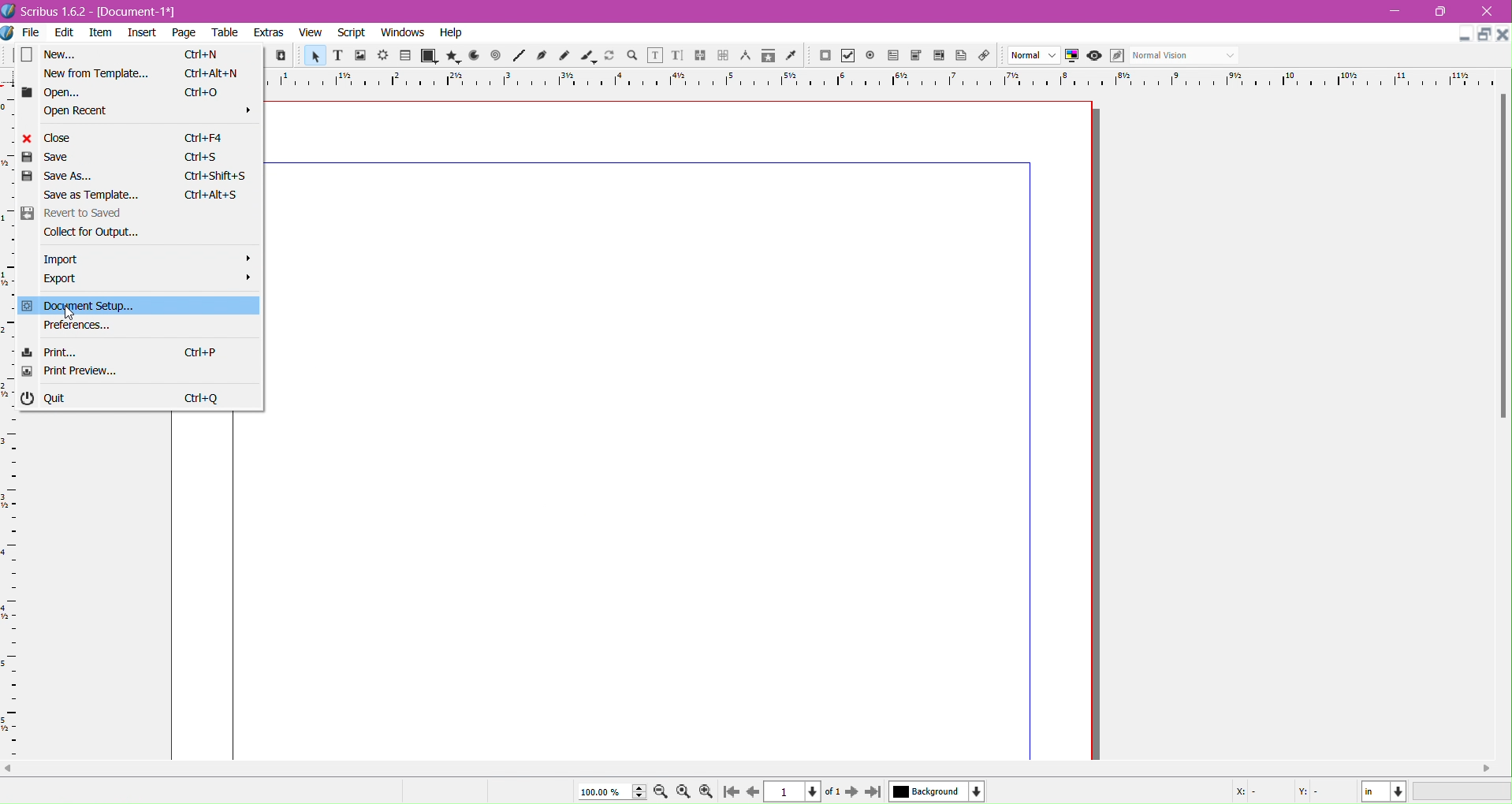  What do you see at coordinates (382, 56) in the screenshot?
I see `render frame` at bounding box center [382, 56].